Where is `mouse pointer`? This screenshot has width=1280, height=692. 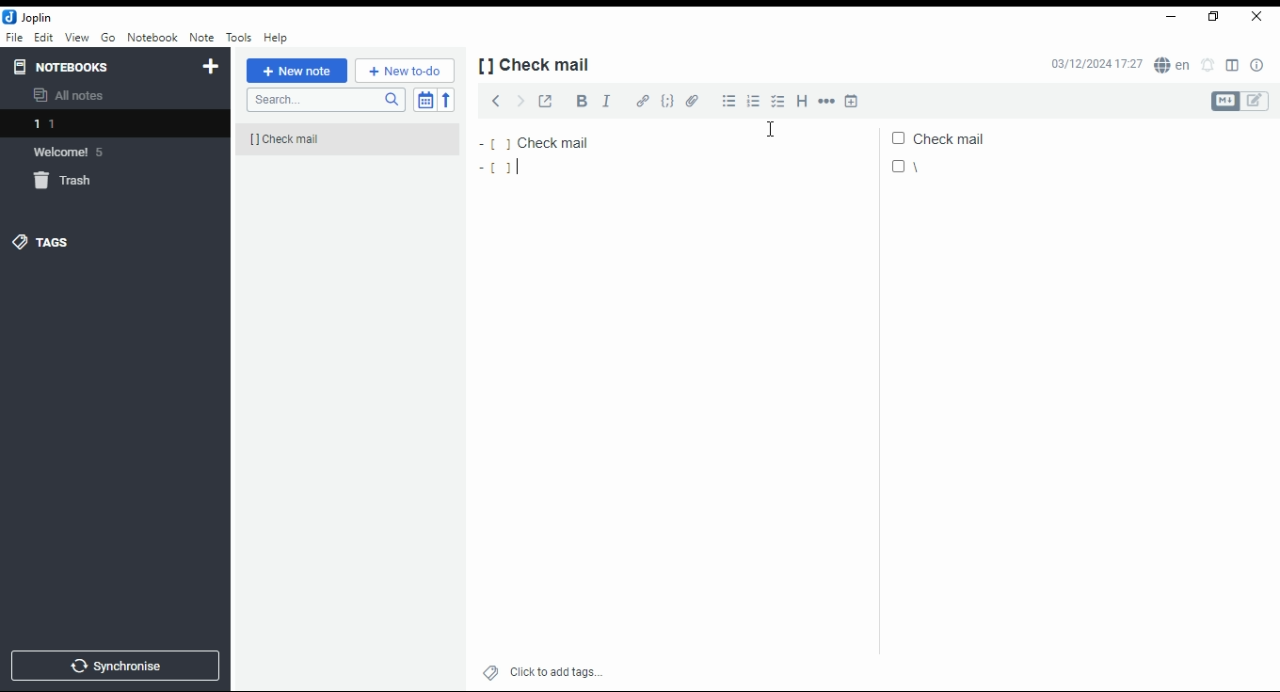 mouse pointer is located at coordinates (771, 128).